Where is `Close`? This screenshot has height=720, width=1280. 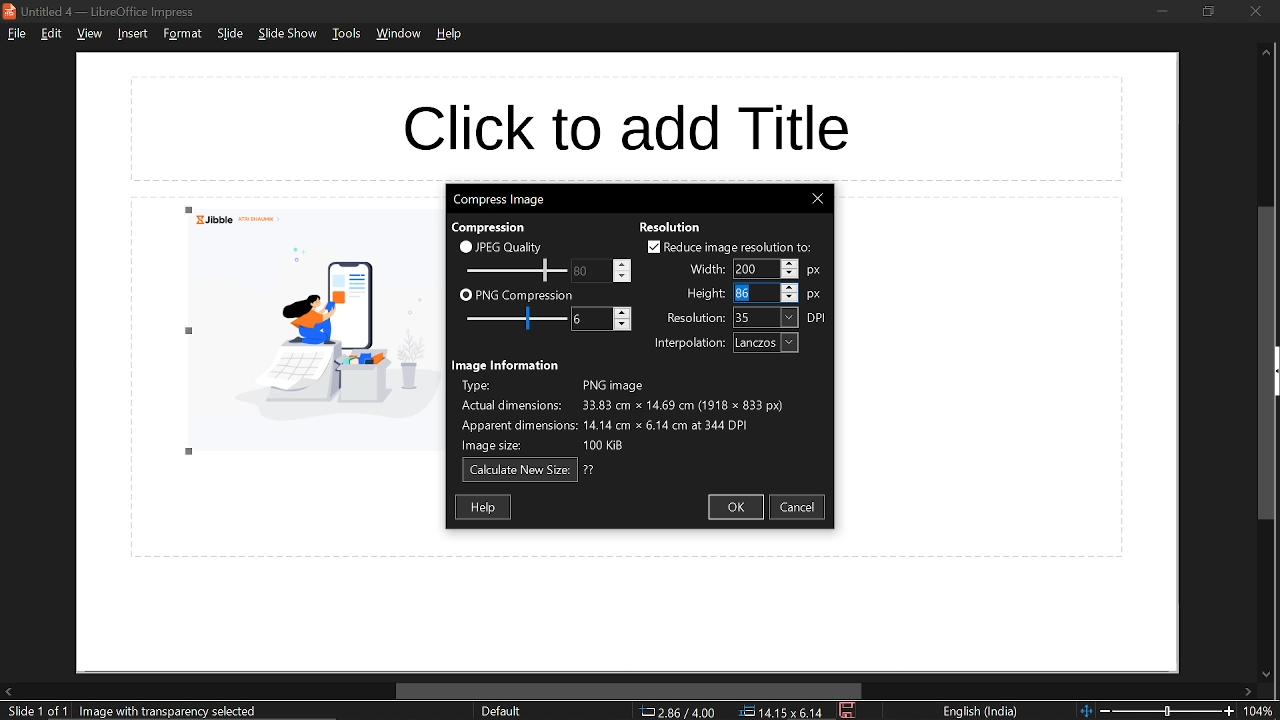
Close is located at coordinates (817, 199).